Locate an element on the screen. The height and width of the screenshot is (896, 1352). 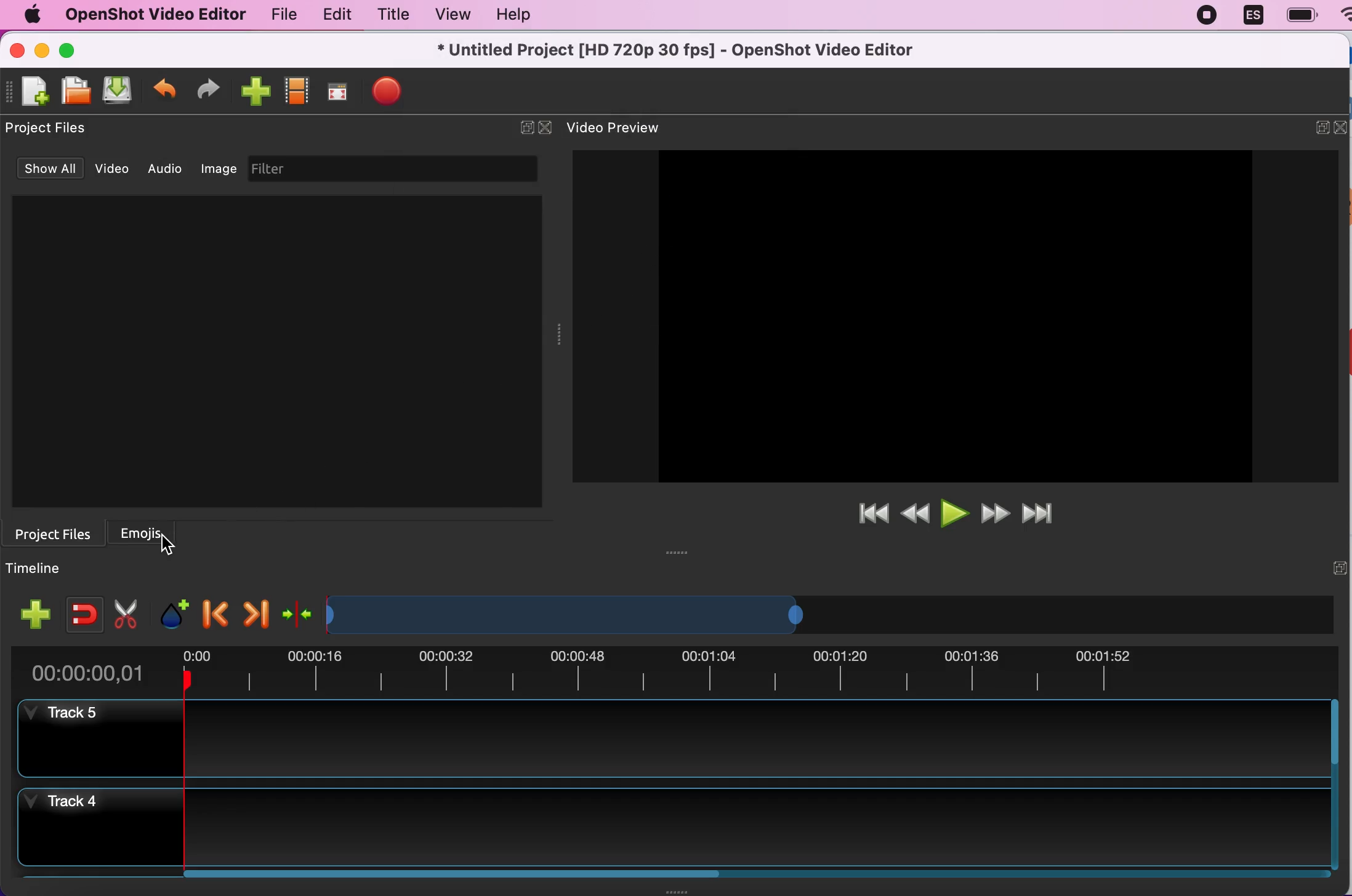
undo is located at coordinates (165, 86).